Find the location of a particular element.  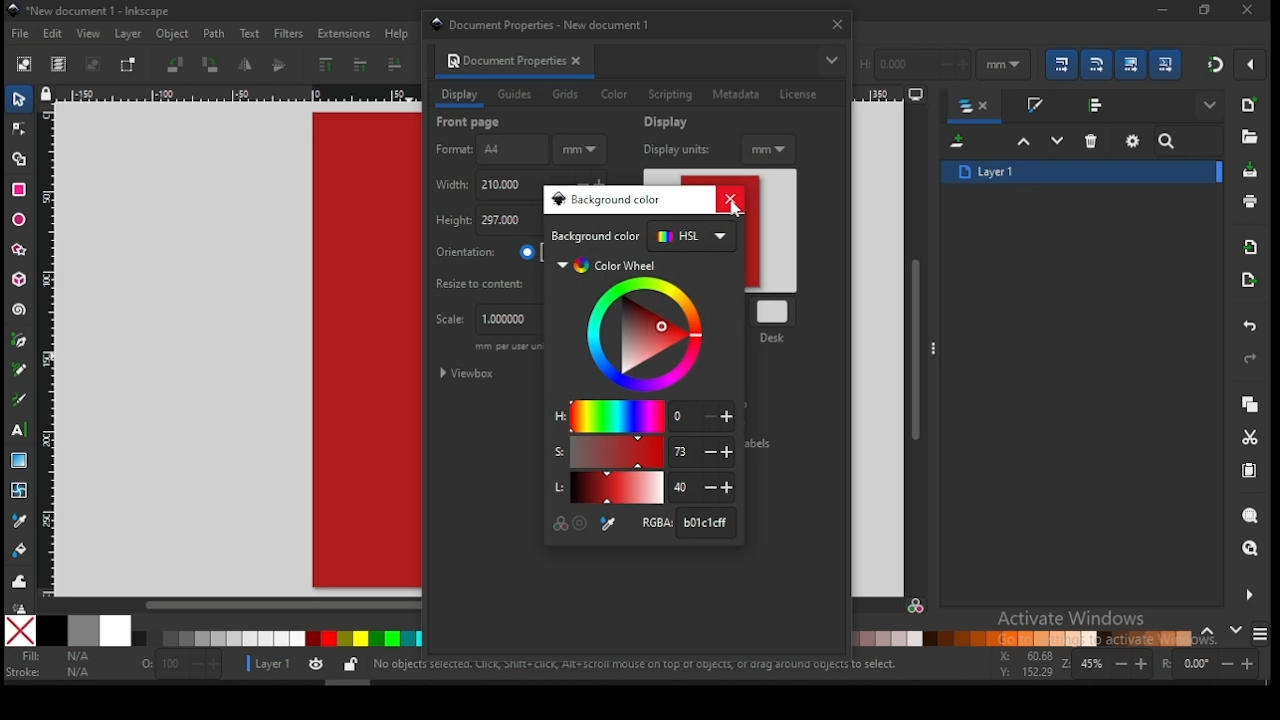

rise to top is located at coordinates (324, 65).